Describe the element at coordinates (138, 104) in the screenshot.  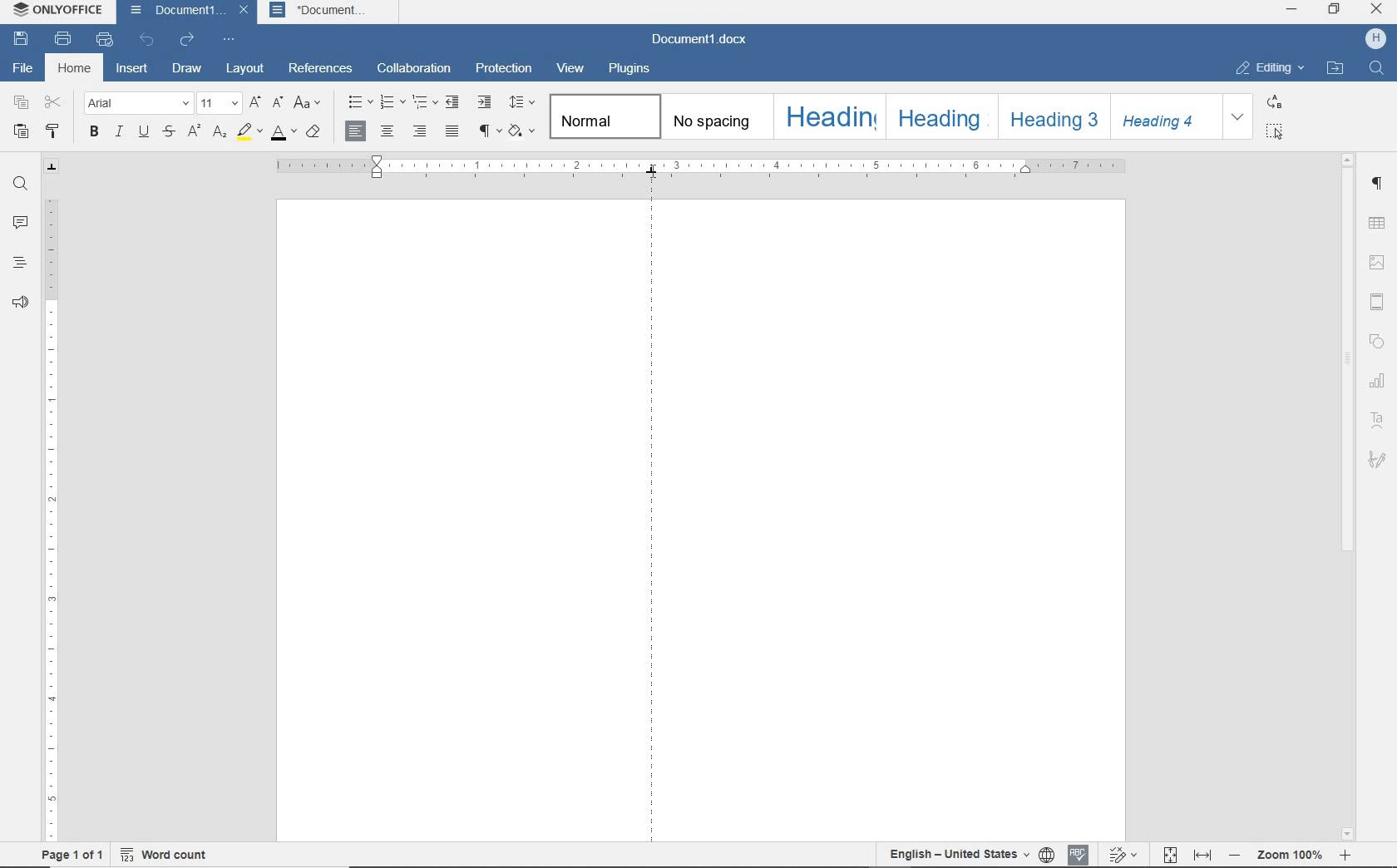
I see `FONT` at that location.